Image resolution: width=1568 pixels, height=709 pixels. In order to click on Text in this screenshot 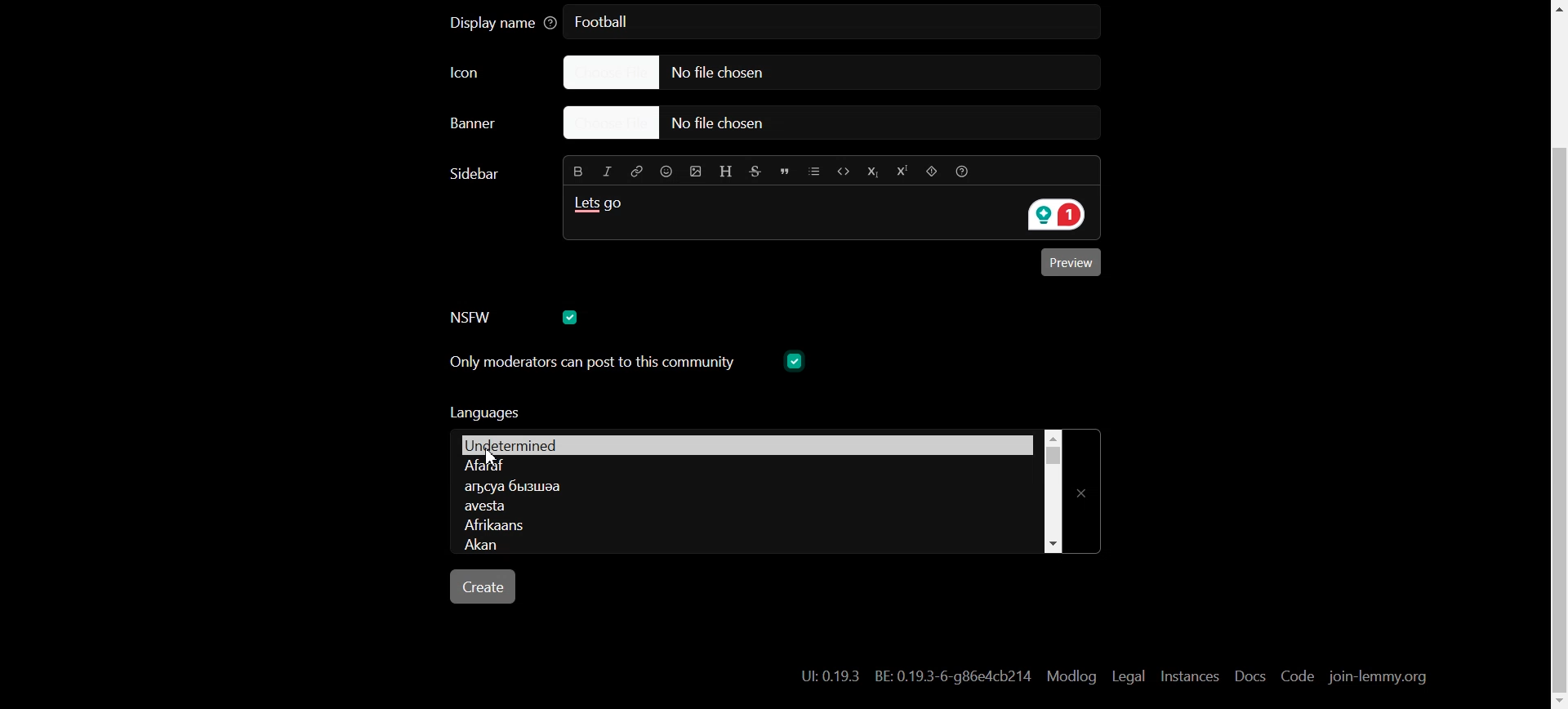, I will do `click(478, 173)`.